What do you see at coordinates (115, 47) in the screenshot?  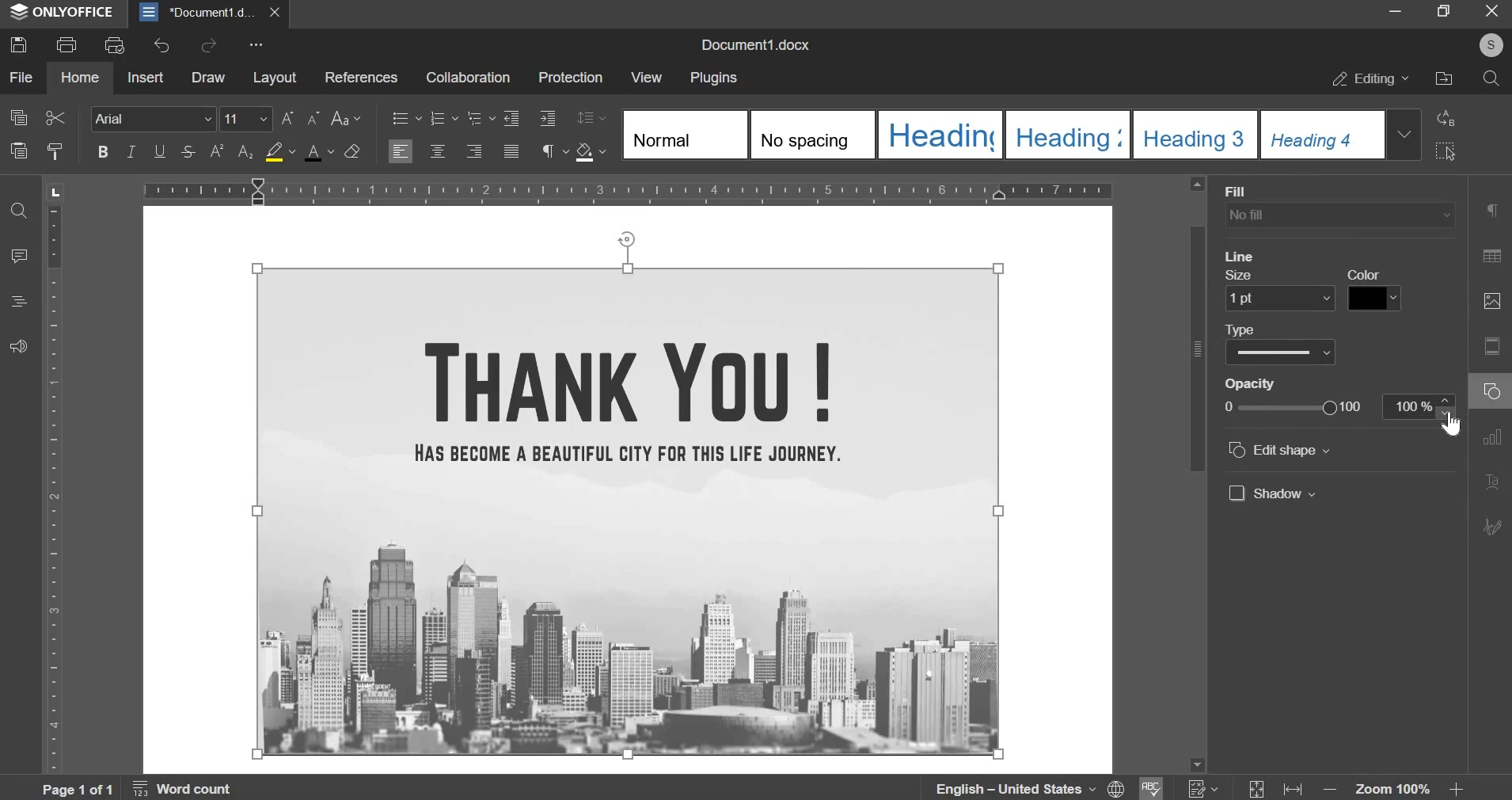 I see `print preview` at bounding box center [115, 47].